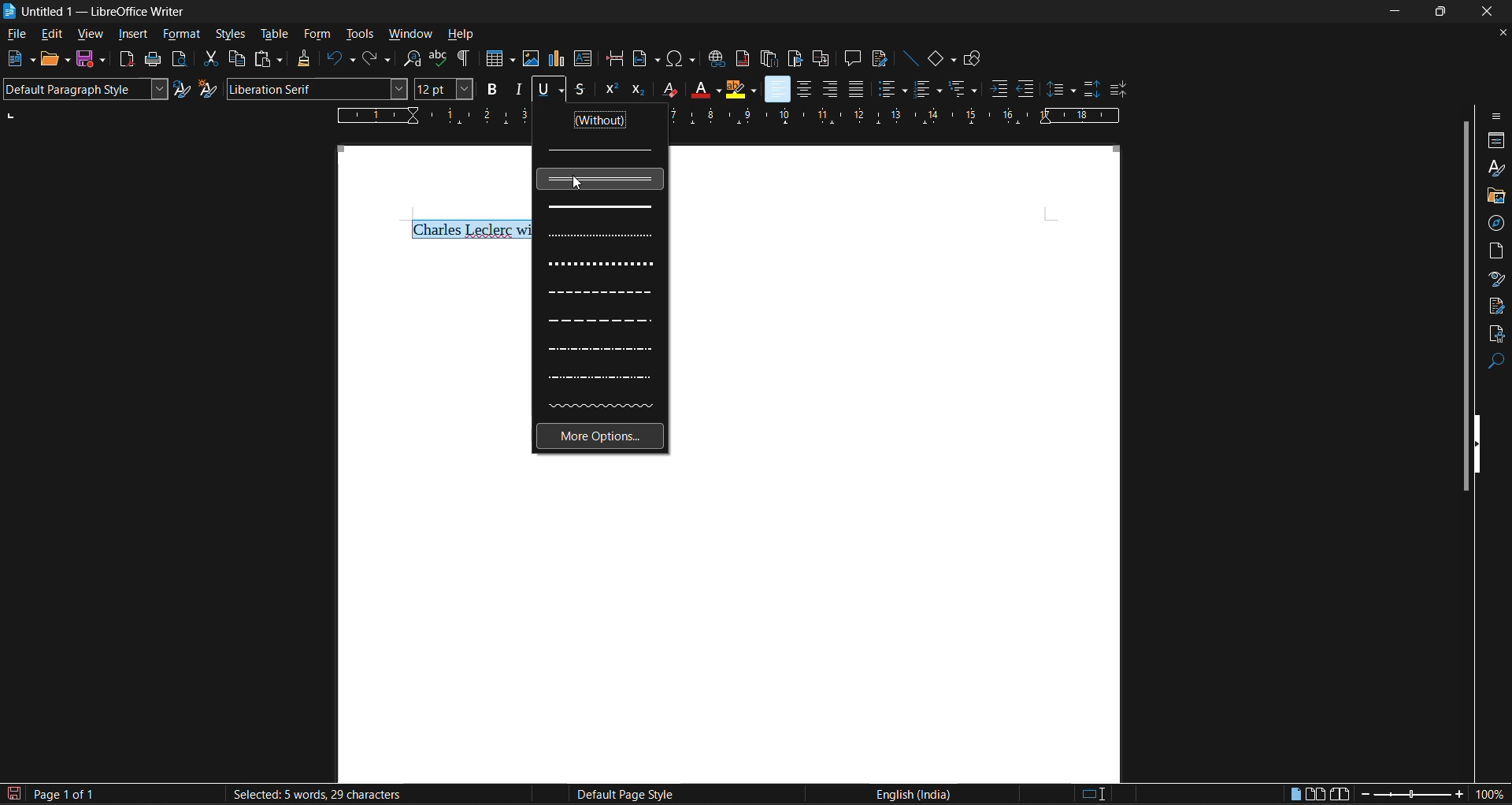 The height and width of the screenshot is (805, 1512). What do you see at coordinates (316, 88) in the screenshot?
I see `font name` at bounding box center [316, 88].